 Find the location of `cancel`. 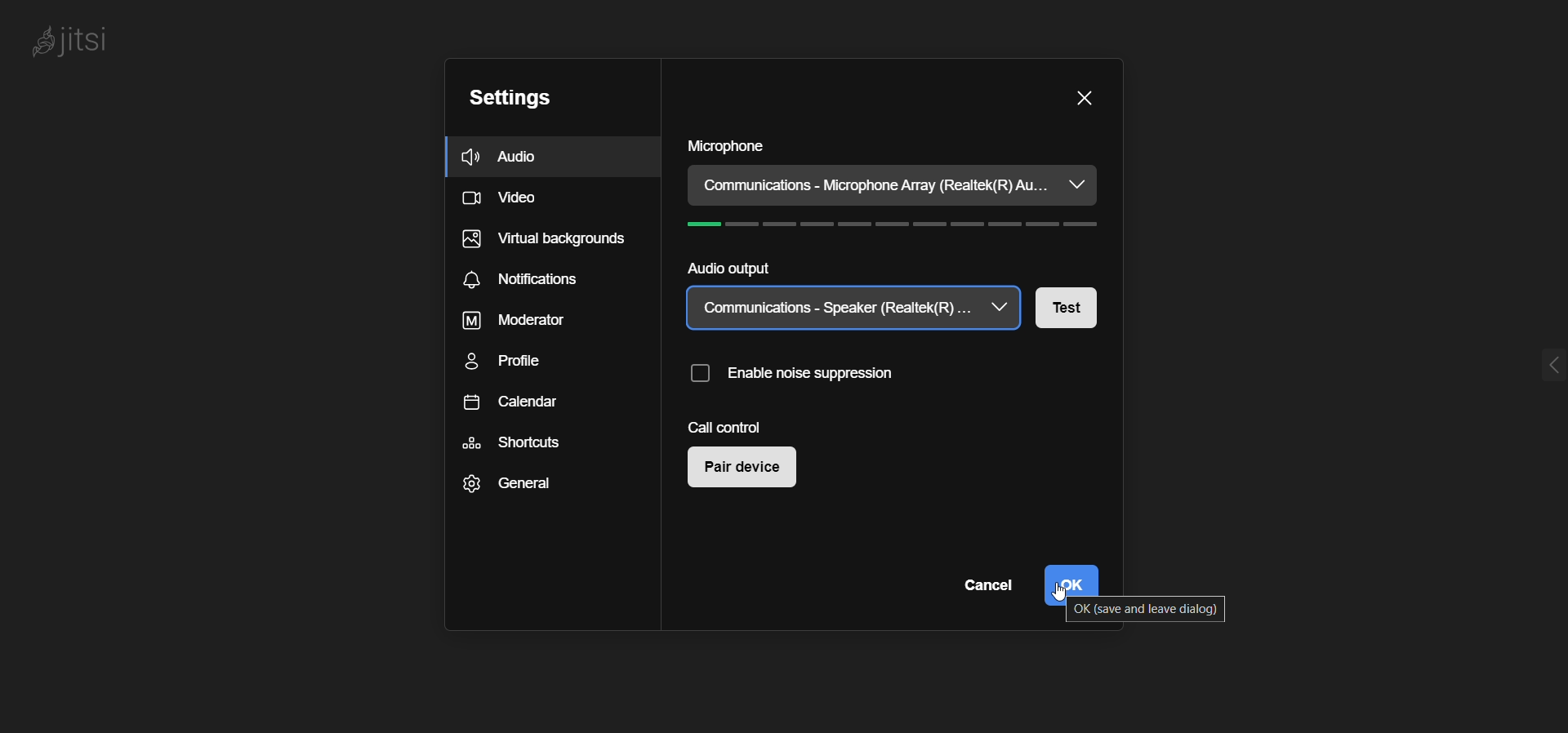

cancel is located at coordinates (984, 586).